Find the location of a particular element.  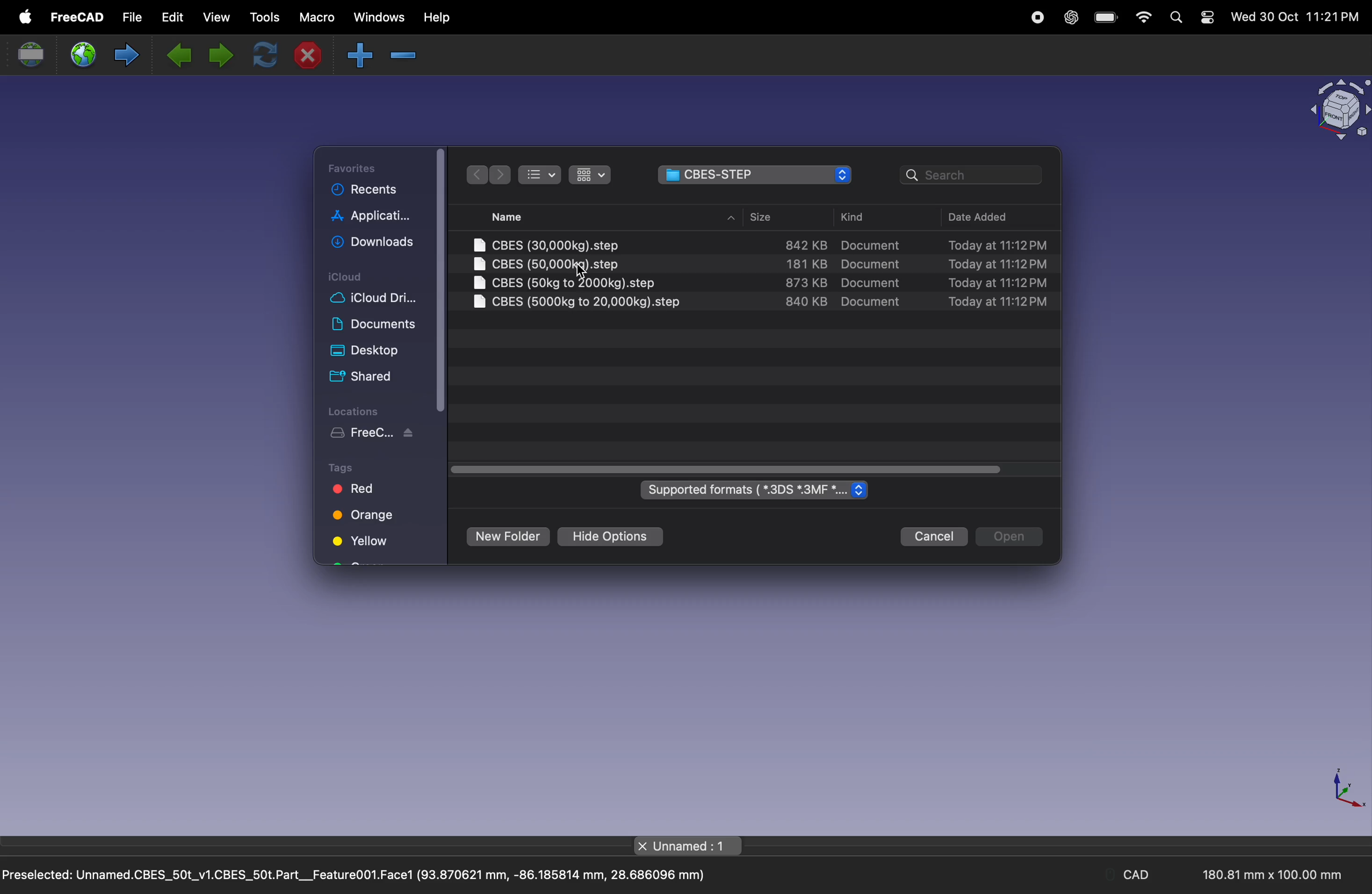

red is located at coordinates (355, 491).